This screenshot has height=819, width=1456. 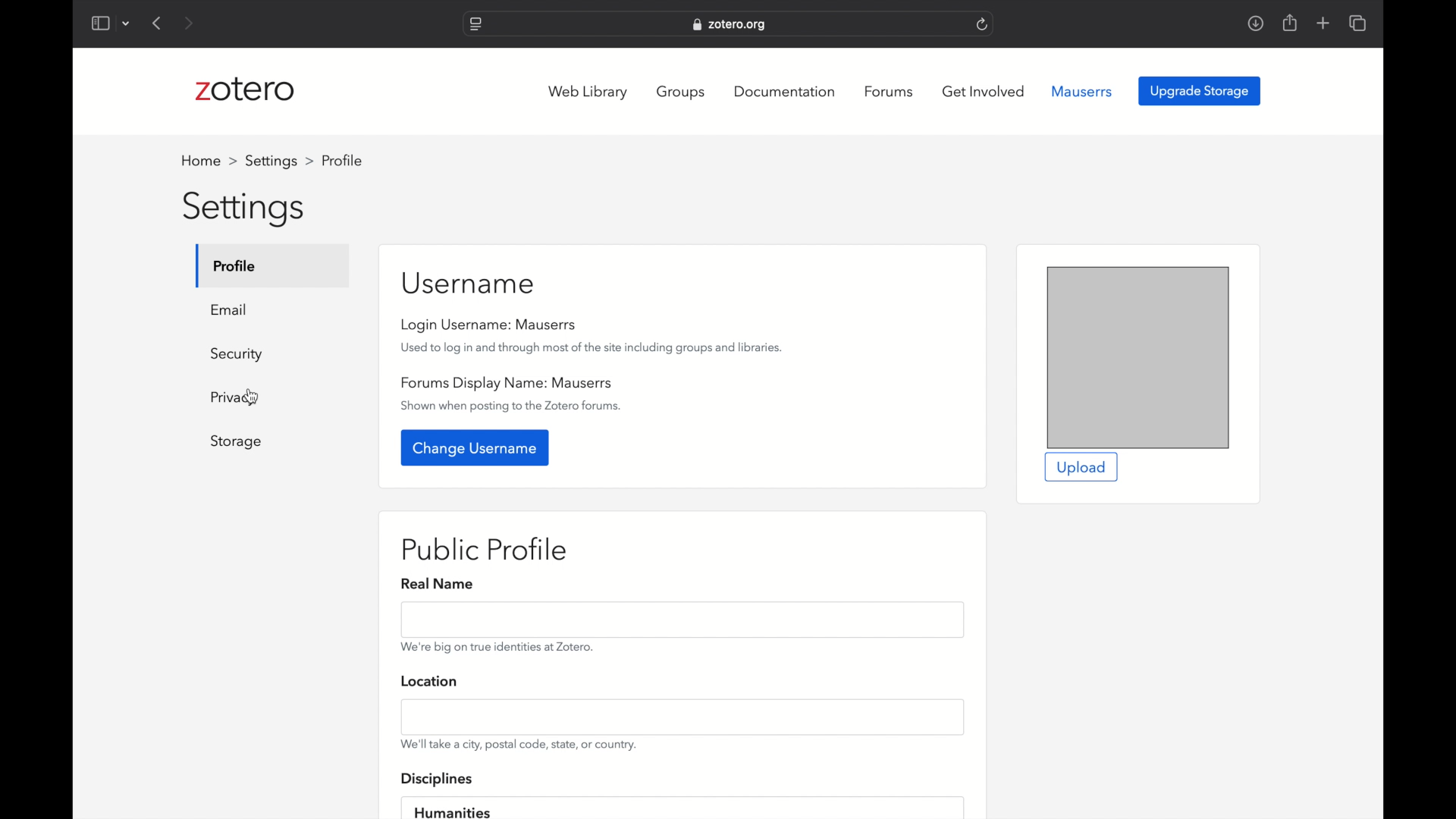 I want to click on privacy, so click(x=235, y=399).